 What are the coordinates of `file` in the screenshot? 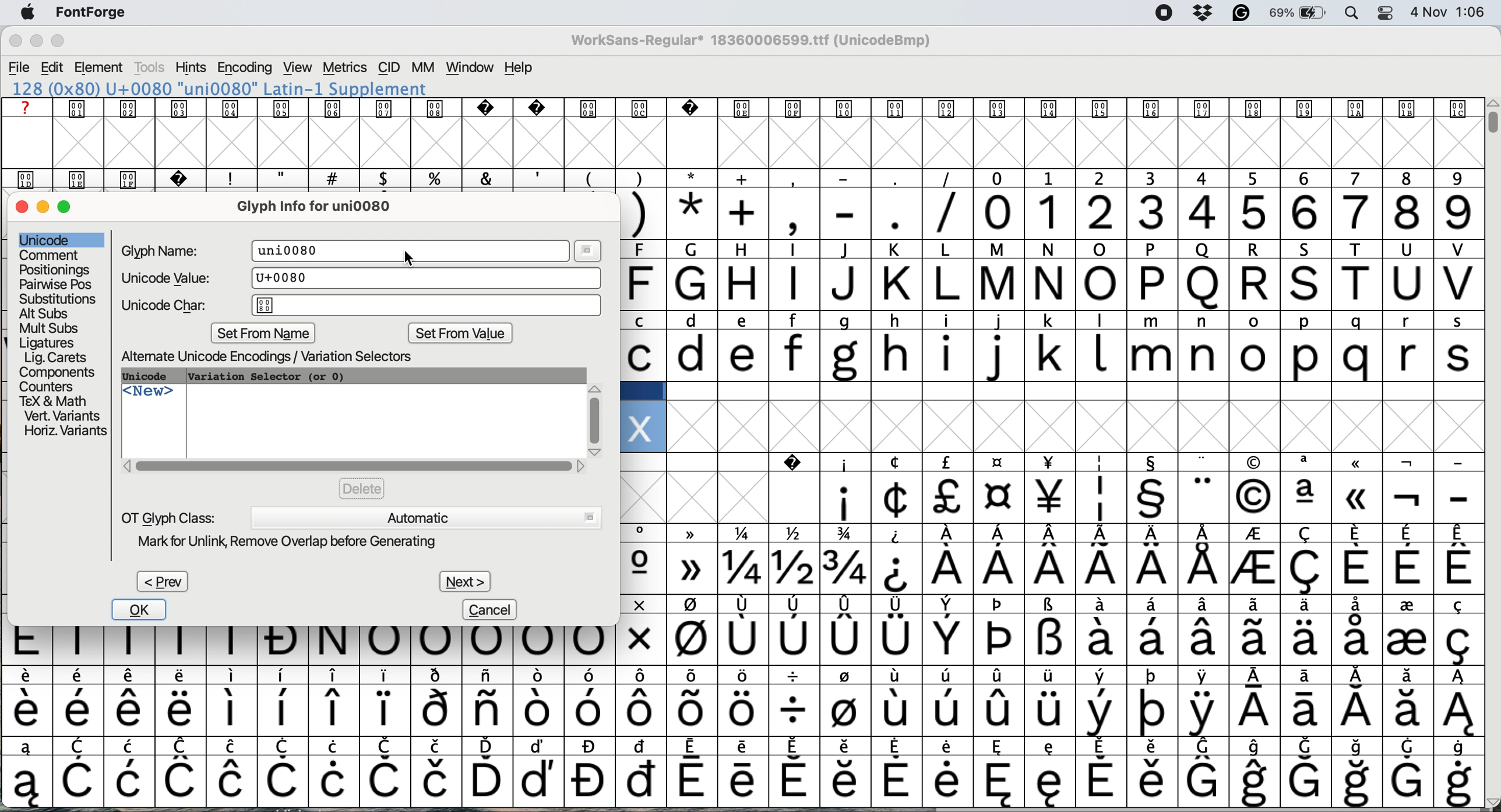 It's located at (19, 66).